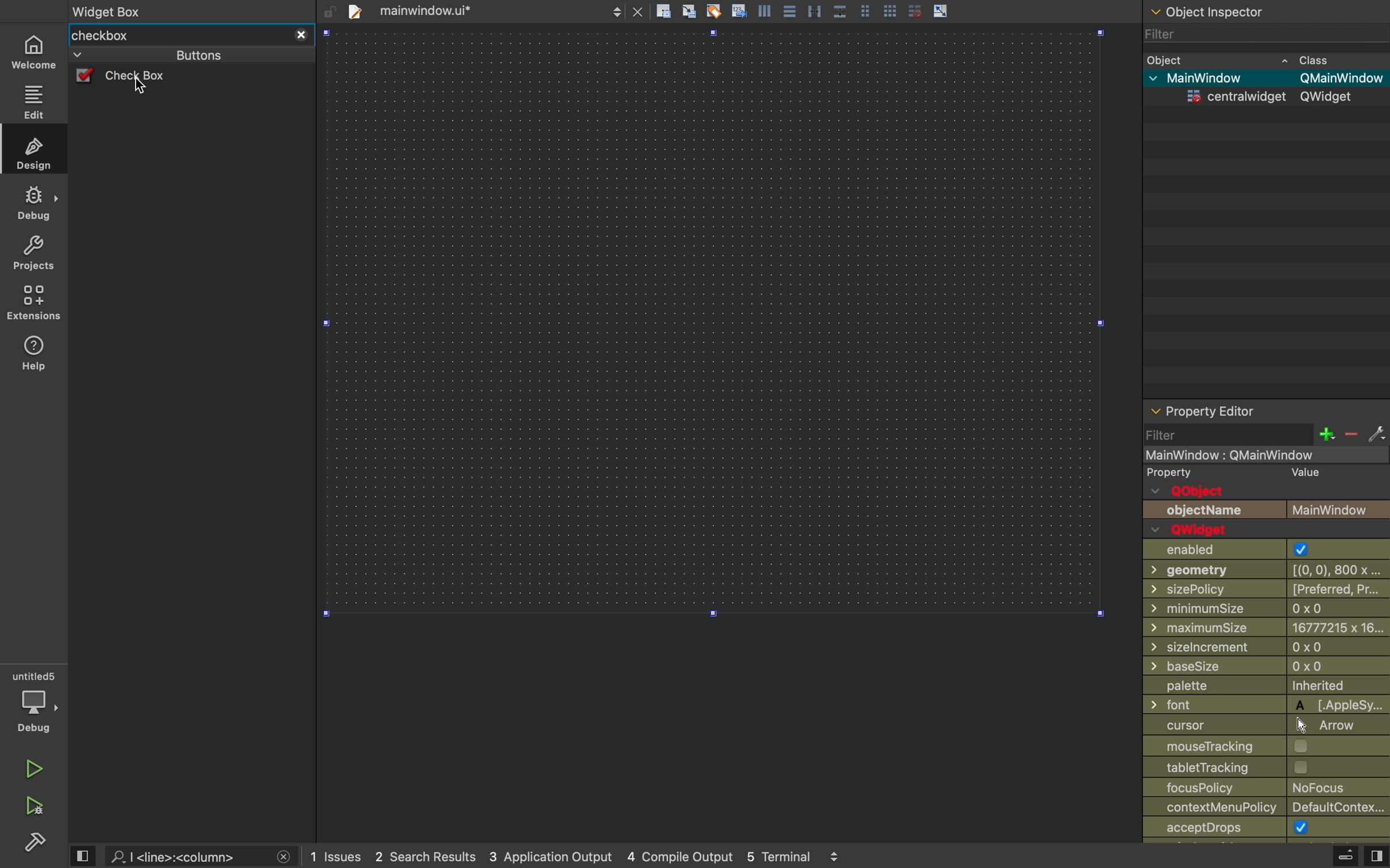  Describe the element at coordinates (111, 10) in the screenshot. I see `Widget Box` at that location.